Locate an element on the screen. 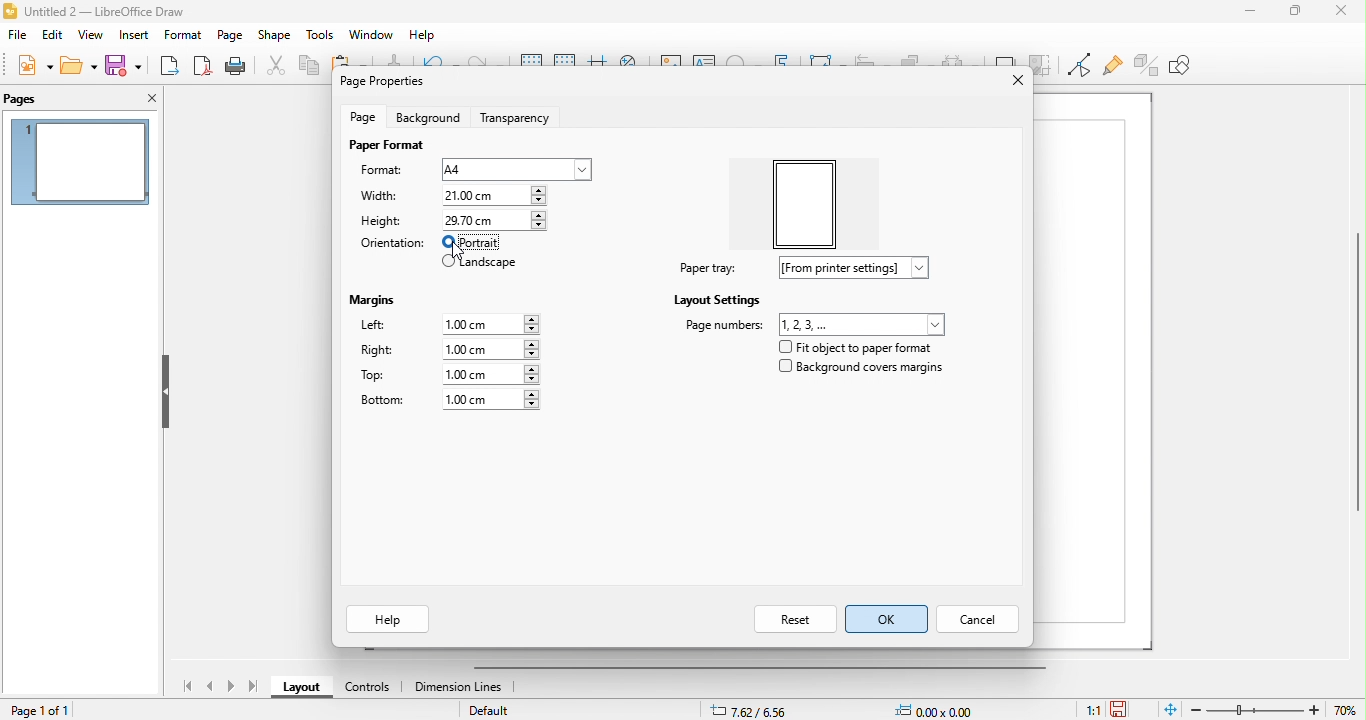 This screenshot has width=1366, height=720. close pane is located at coordinates (147, 97).